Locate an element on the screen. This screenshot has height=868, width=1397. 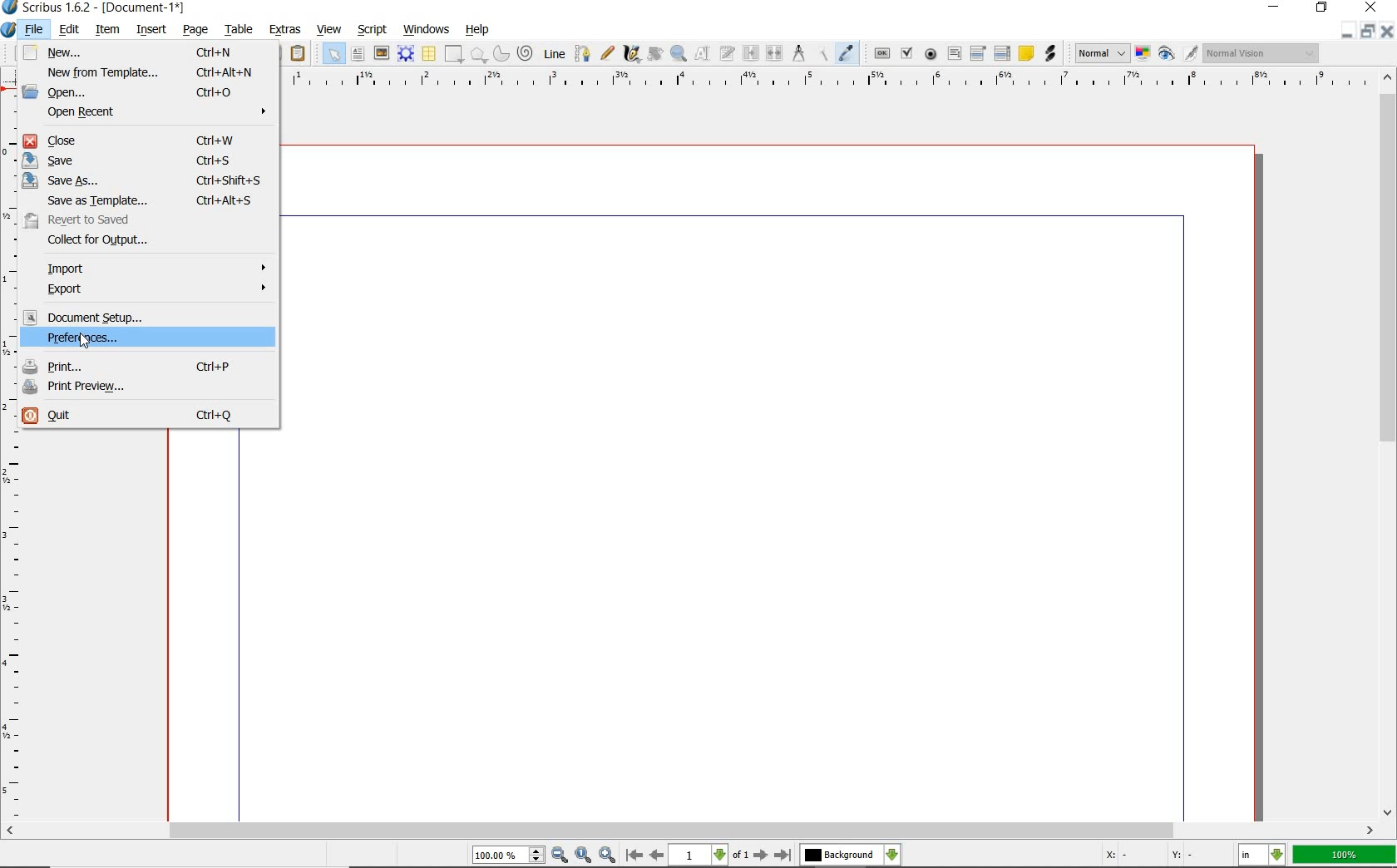
zoom factor is located at coordinates (1345, 856).